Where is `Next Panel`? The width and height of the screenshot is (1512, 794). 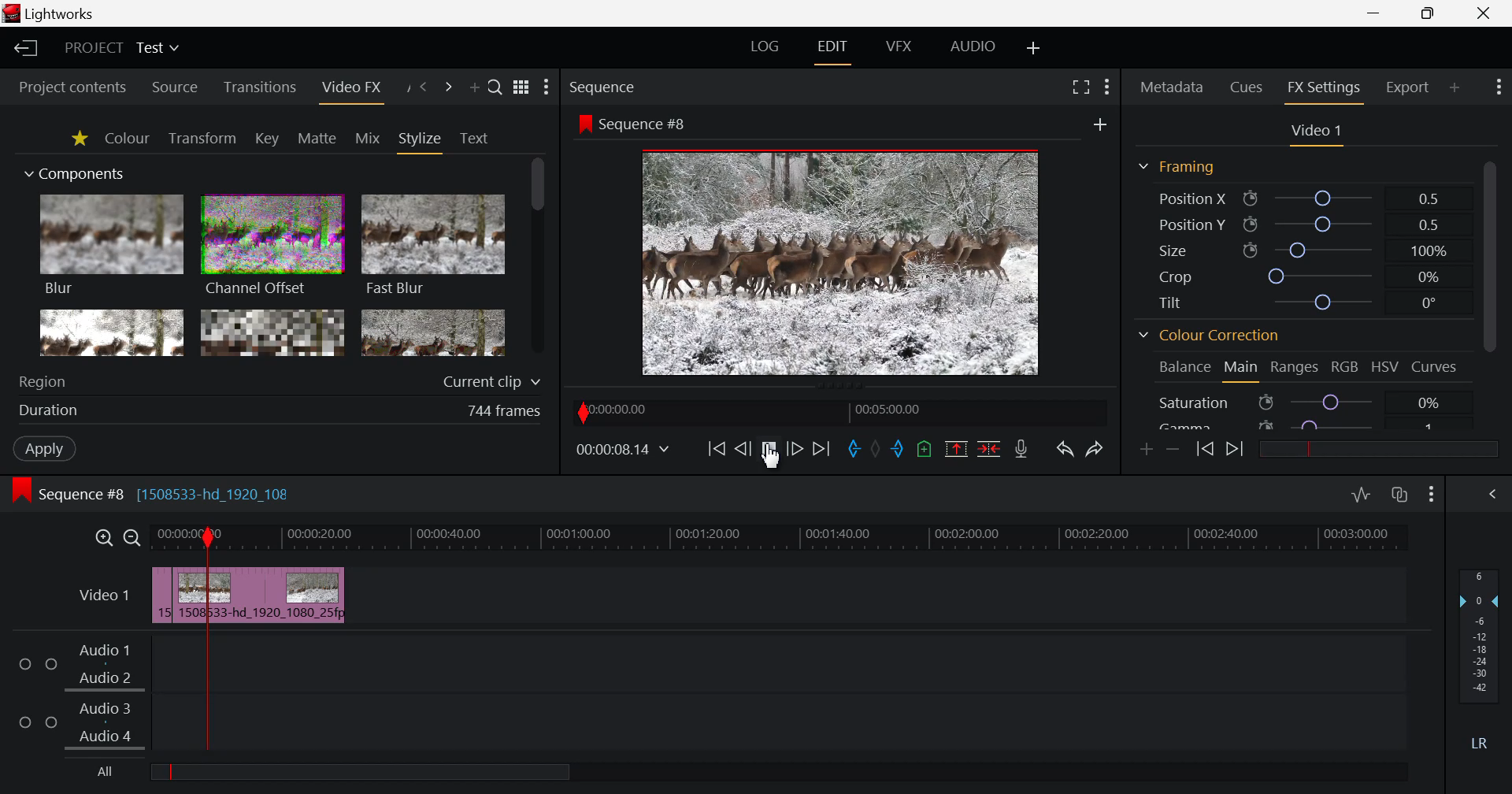 Next Panel is located at coordinates (446, 87).